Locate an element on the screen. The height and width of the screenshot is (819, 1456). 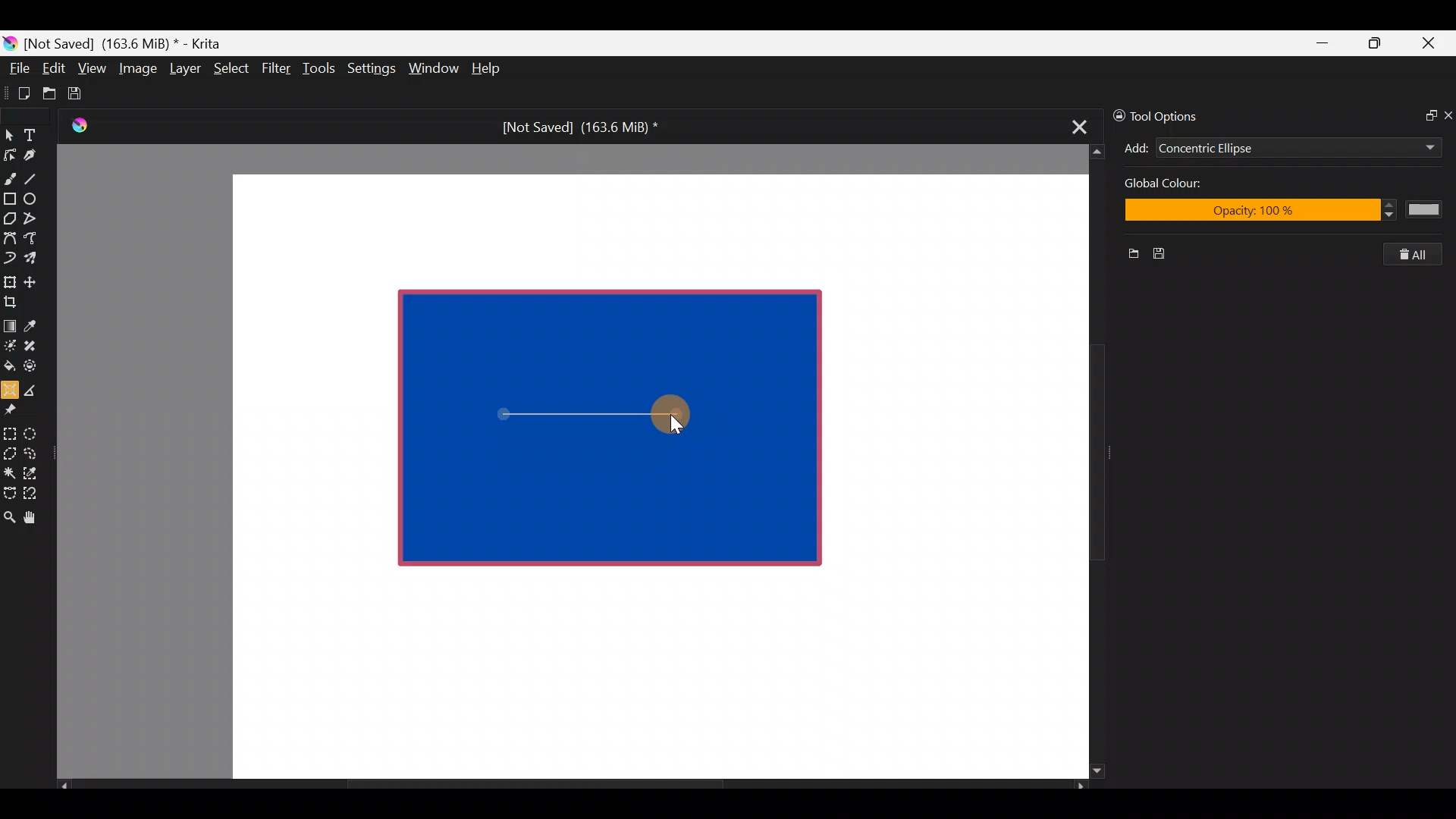
Zoom tool is located at coordinates (9, 516).